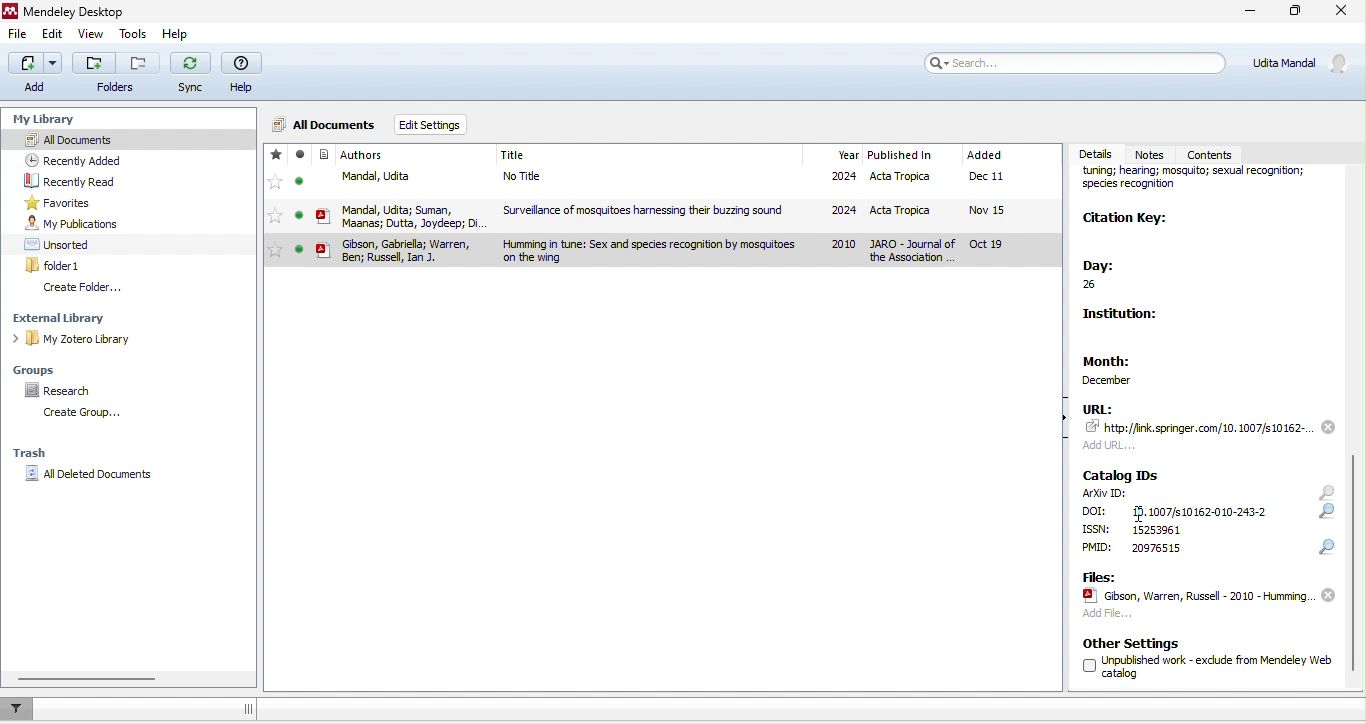 The height and width of the screenshot is (724, 1366). What do you see at coordinates (82, 11) in the screenshot?
I see `Mendeley Desktop` at bounding box center [82, 11].